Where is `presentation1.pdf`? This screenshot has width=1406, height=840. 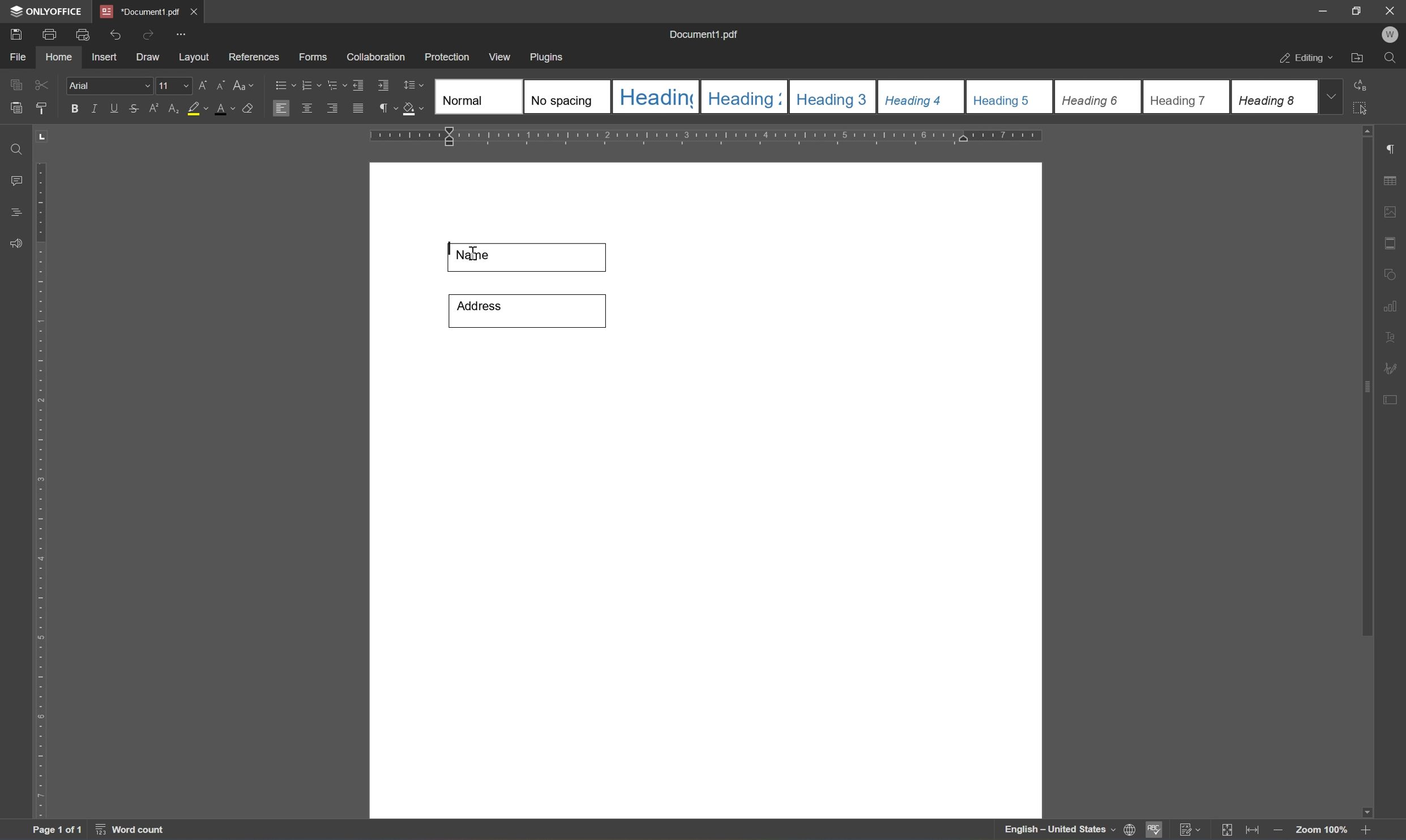
presentation1.pdf is located at coordinates (139, 11).